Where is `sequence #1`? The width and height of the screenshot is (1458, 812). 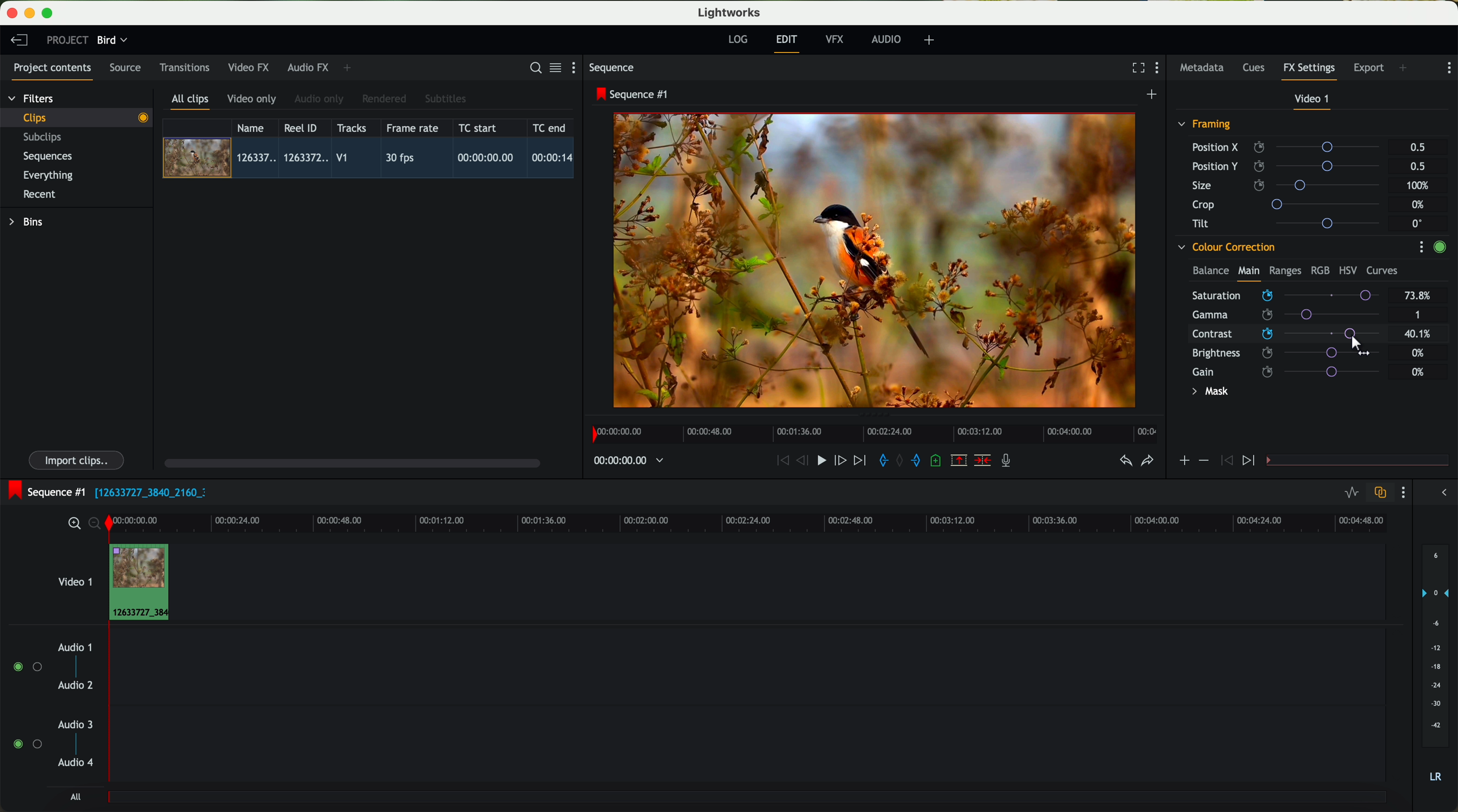
sequence #1 is located at coordinates (44, 492).